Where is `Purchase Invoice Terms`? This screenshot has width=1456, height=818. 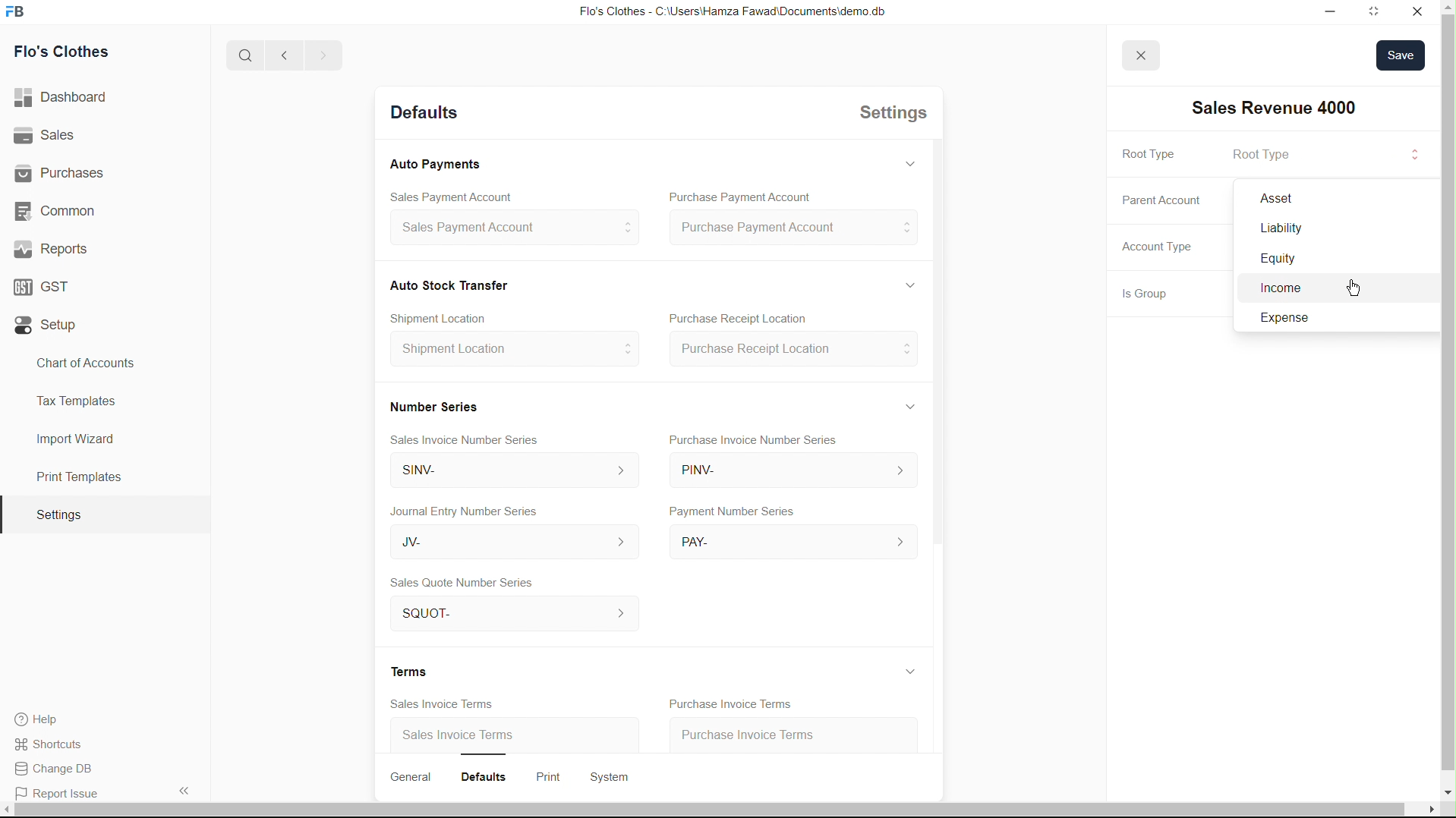 Purchase Invoice Terms is located at coordinates (735, 702).